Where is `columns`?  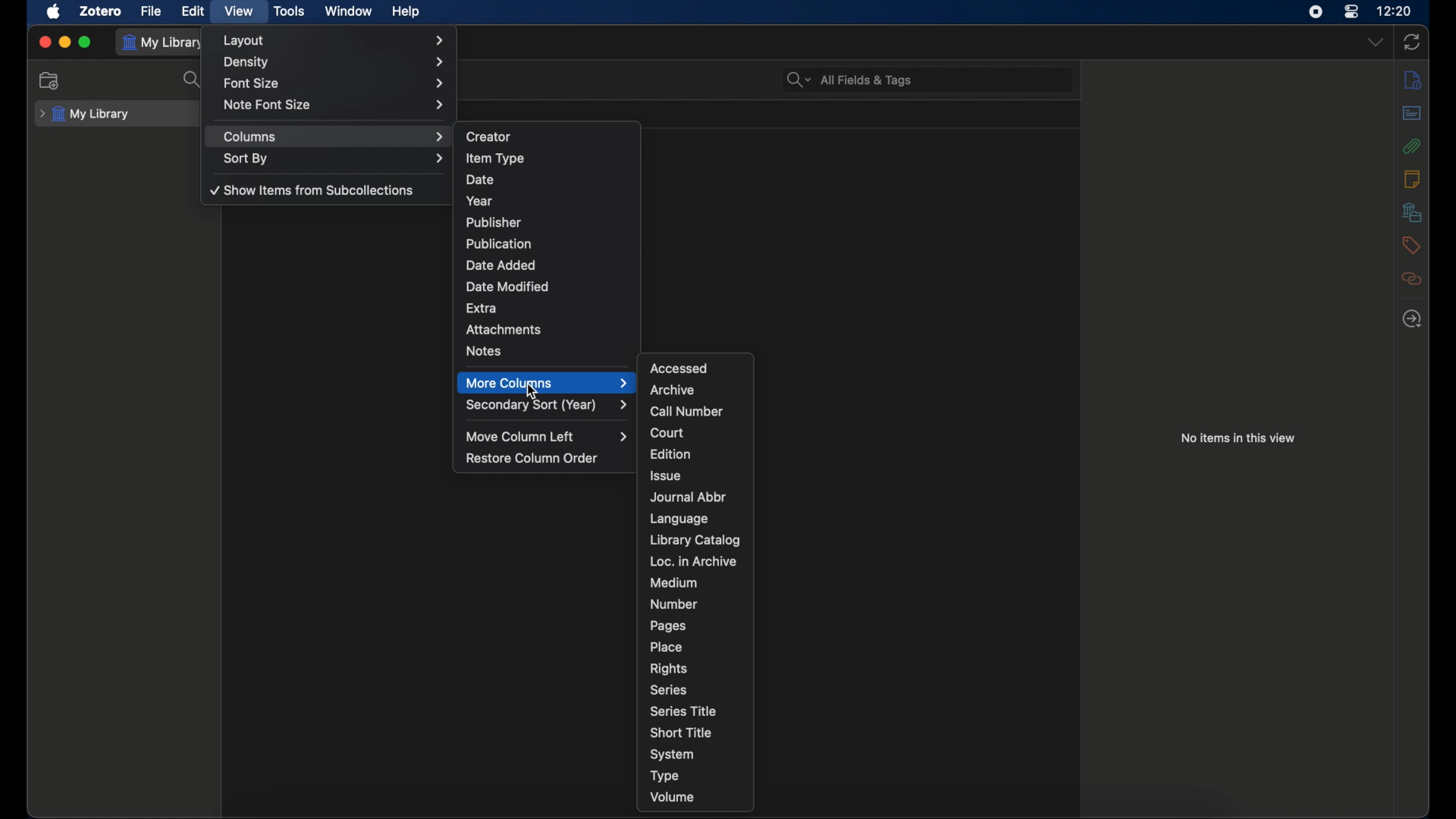 columns is located at coordinates (332, 137).